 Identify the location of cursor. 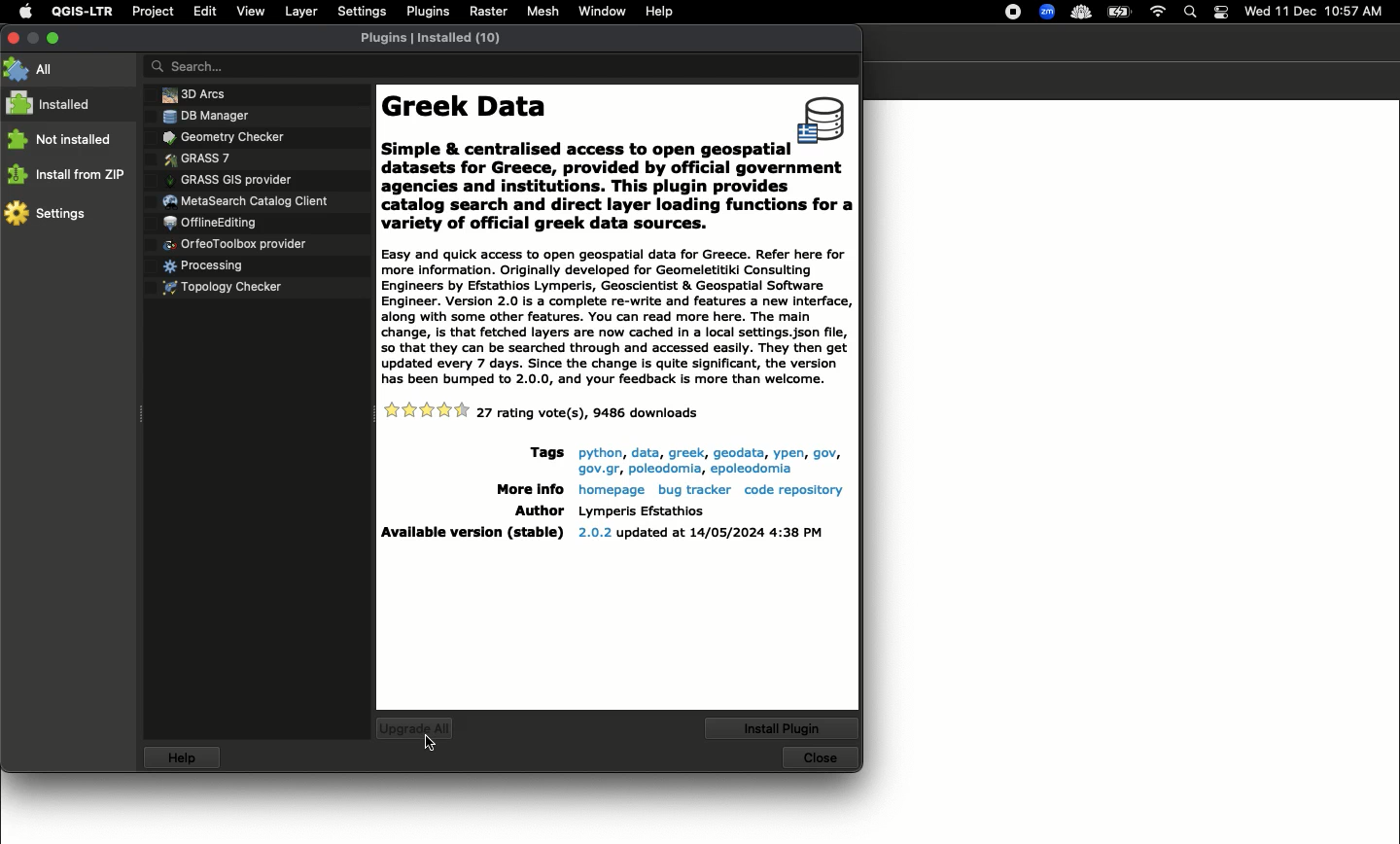
(433, 745).